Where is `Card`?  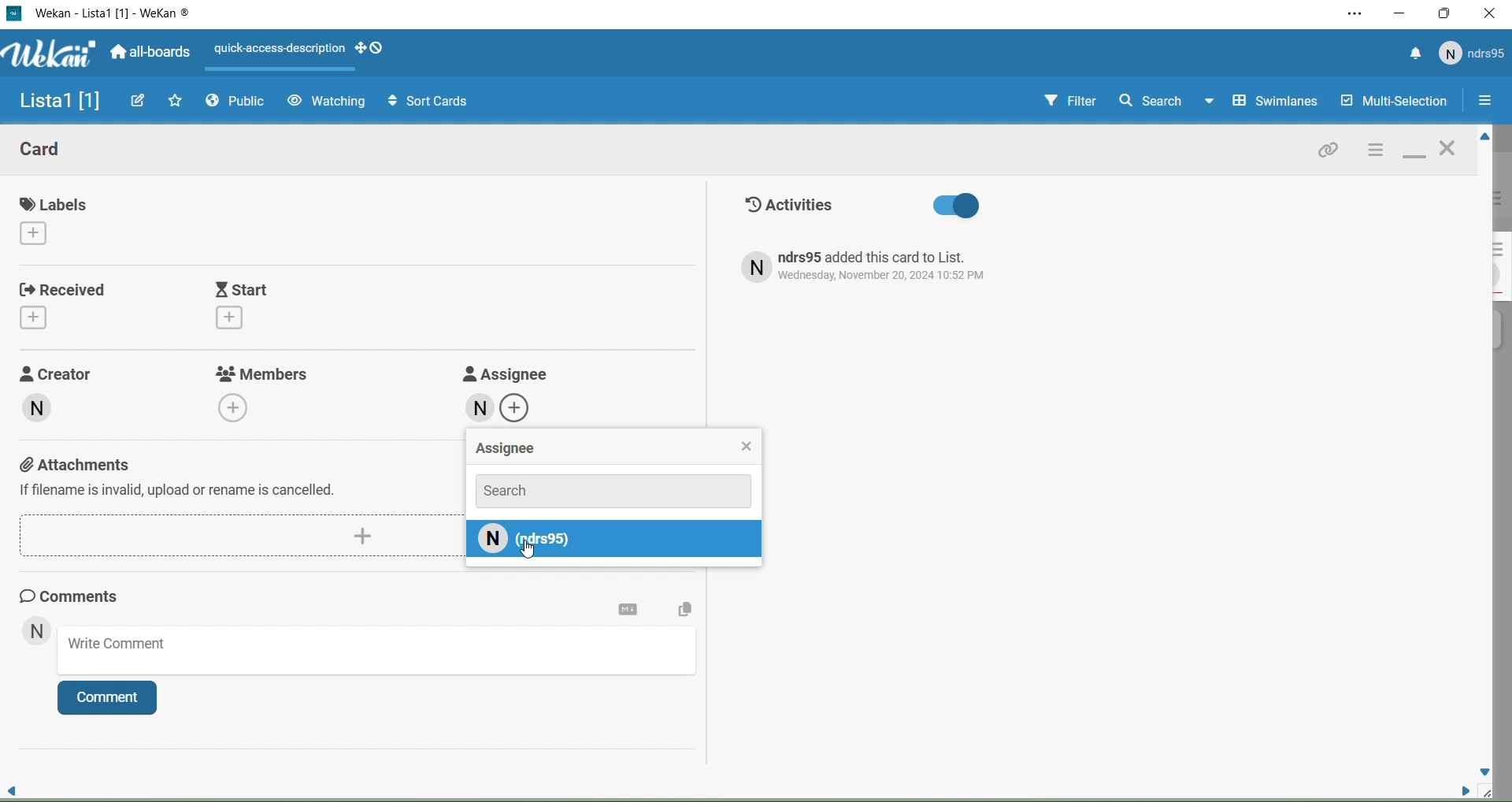
Card is located at coordinates (54, 152).